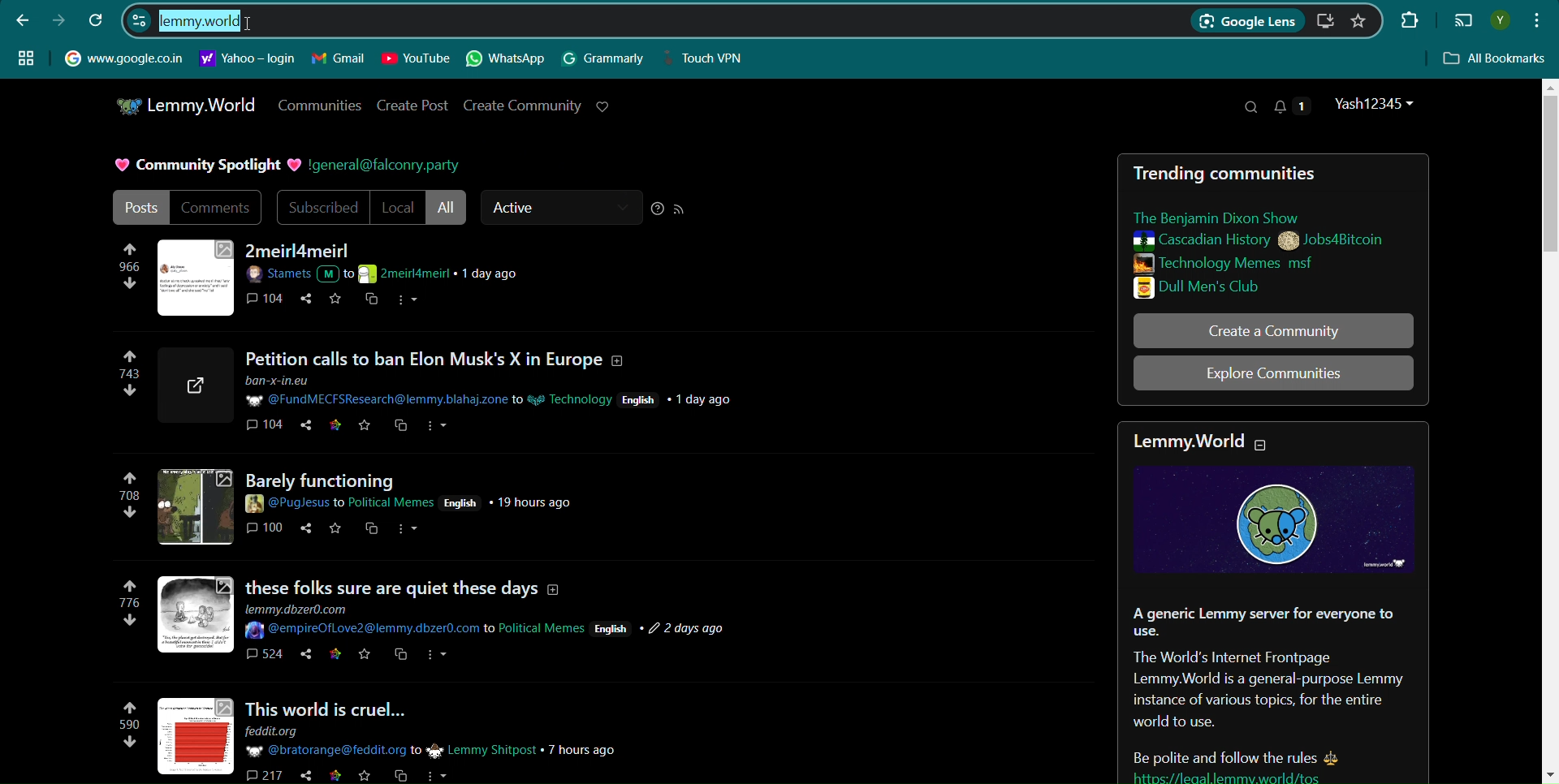 The image size is (1559, 784). I want to click on Extensions, so click(1407, 19).